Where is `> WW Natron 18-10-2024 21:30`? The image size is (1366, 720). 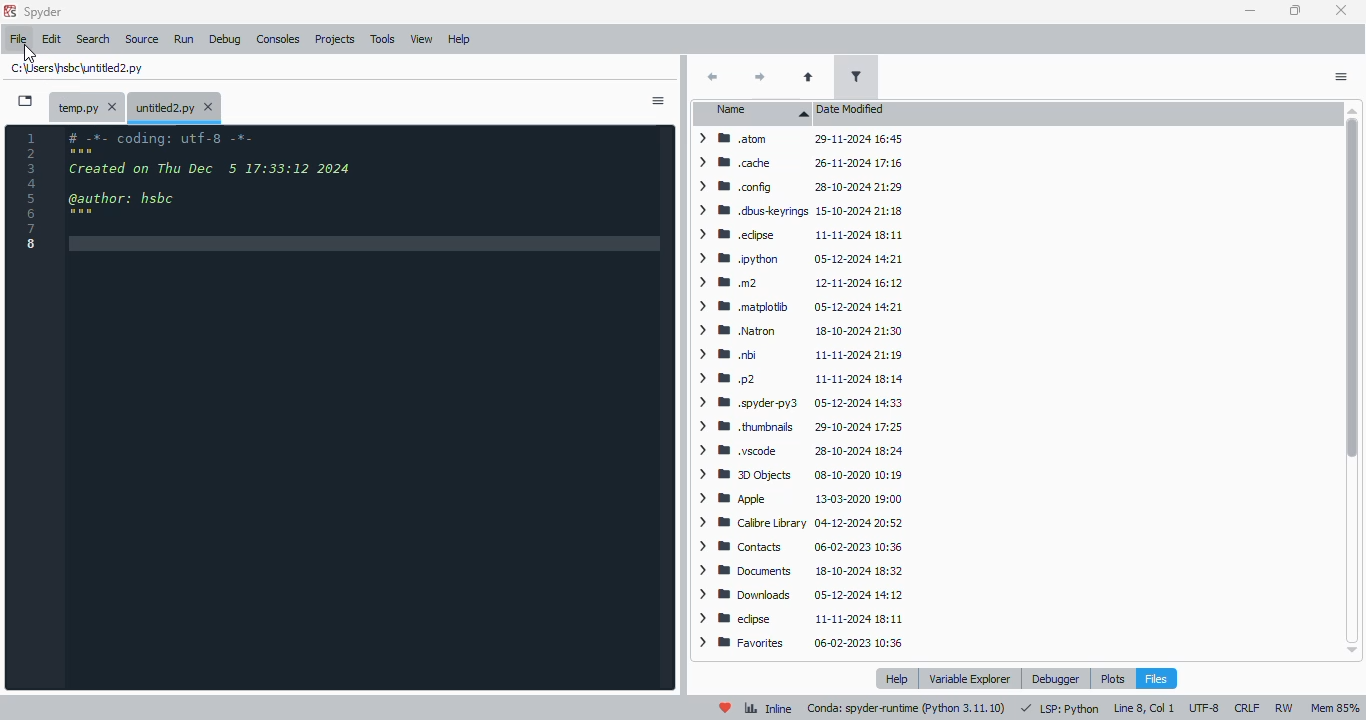
> WW Natron 18-10-2024 21:30 is located at coordinates (796, 331).